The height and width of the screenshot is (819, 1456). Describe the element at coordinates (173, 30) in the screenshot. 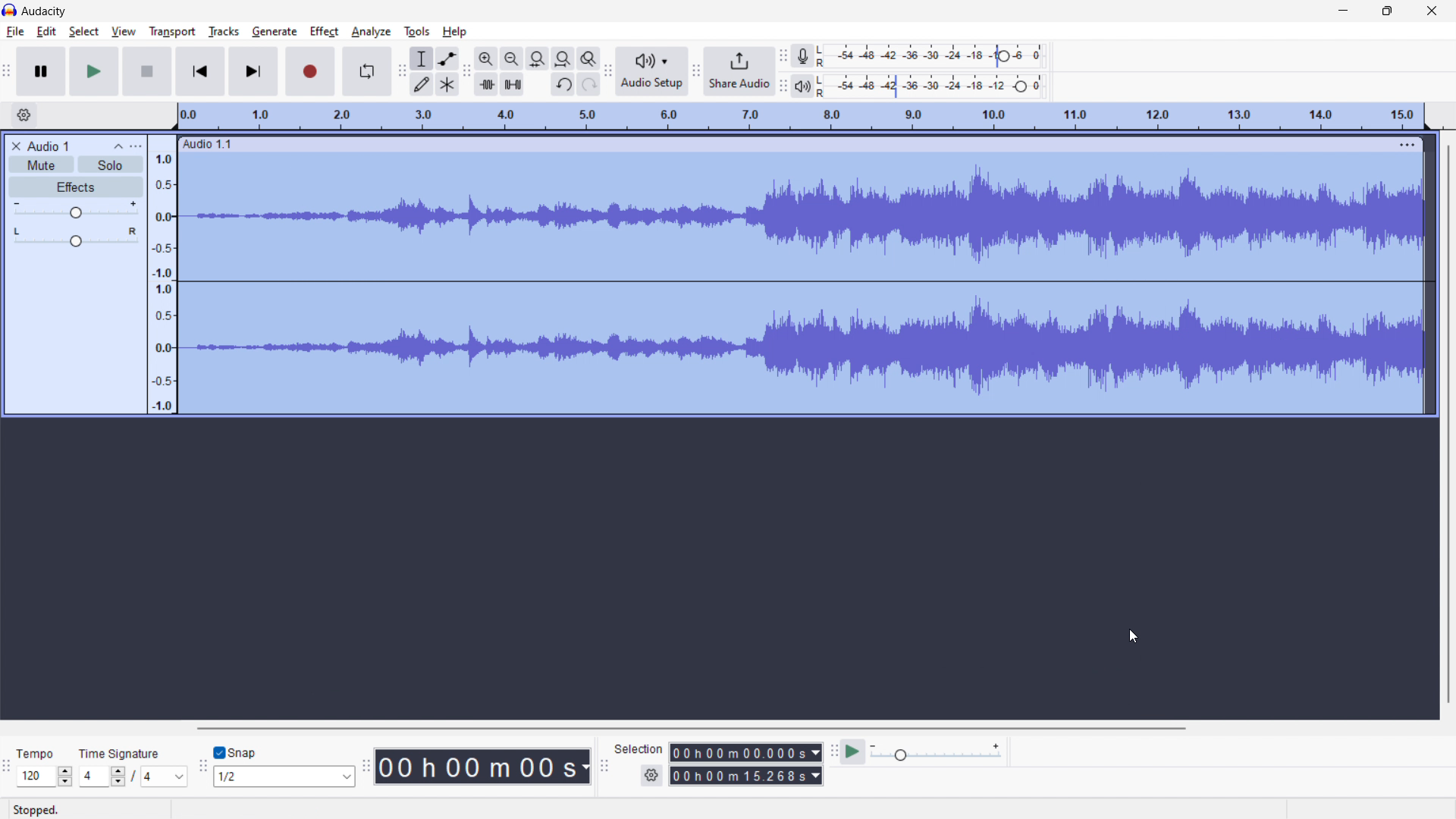

I see `transport` at that location.